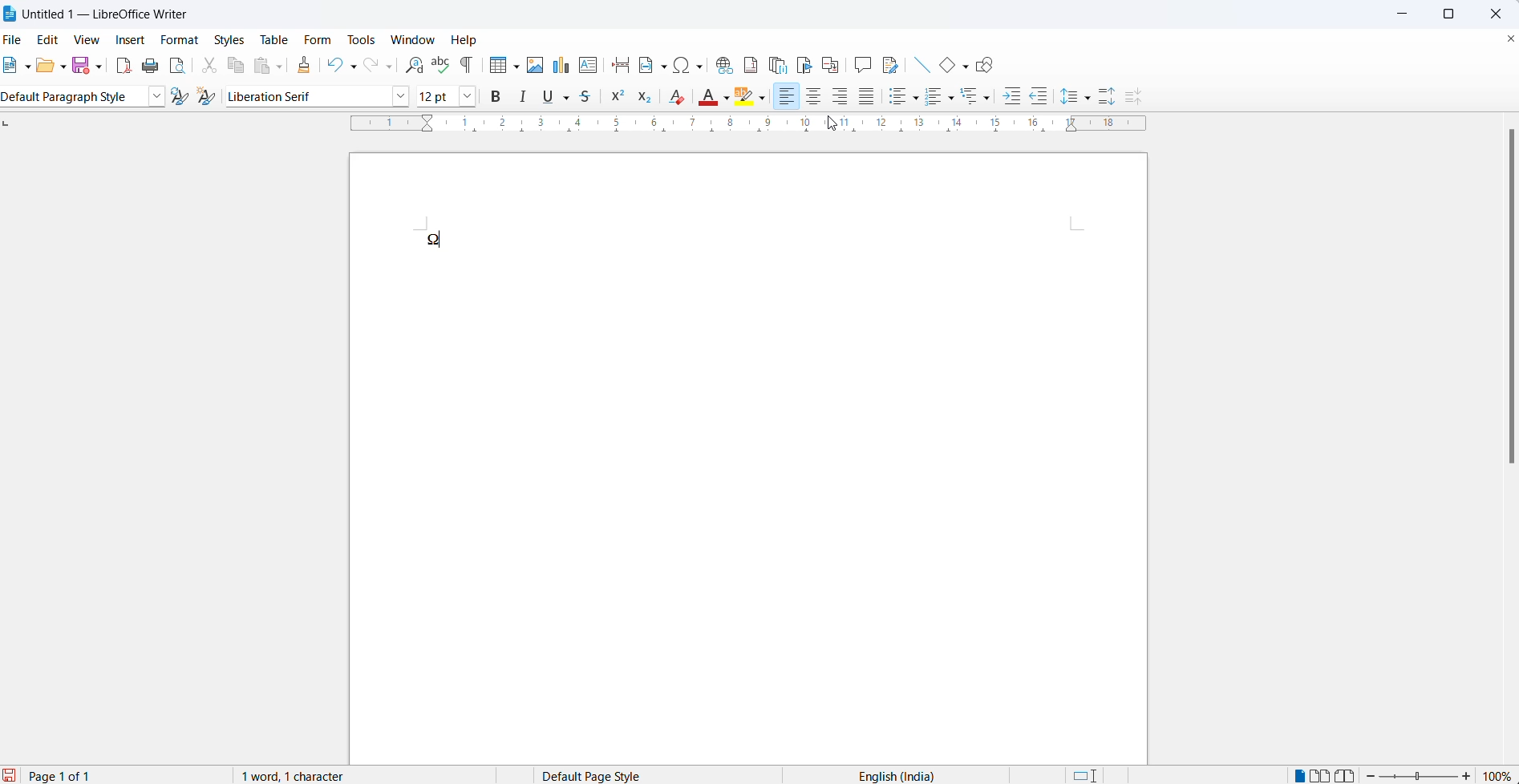 The width and height of the screenshot is (1519, 784). What do you see at coordinates (304, 95) in the screenshot?
I see `font name` at bounding box center [304, 95].